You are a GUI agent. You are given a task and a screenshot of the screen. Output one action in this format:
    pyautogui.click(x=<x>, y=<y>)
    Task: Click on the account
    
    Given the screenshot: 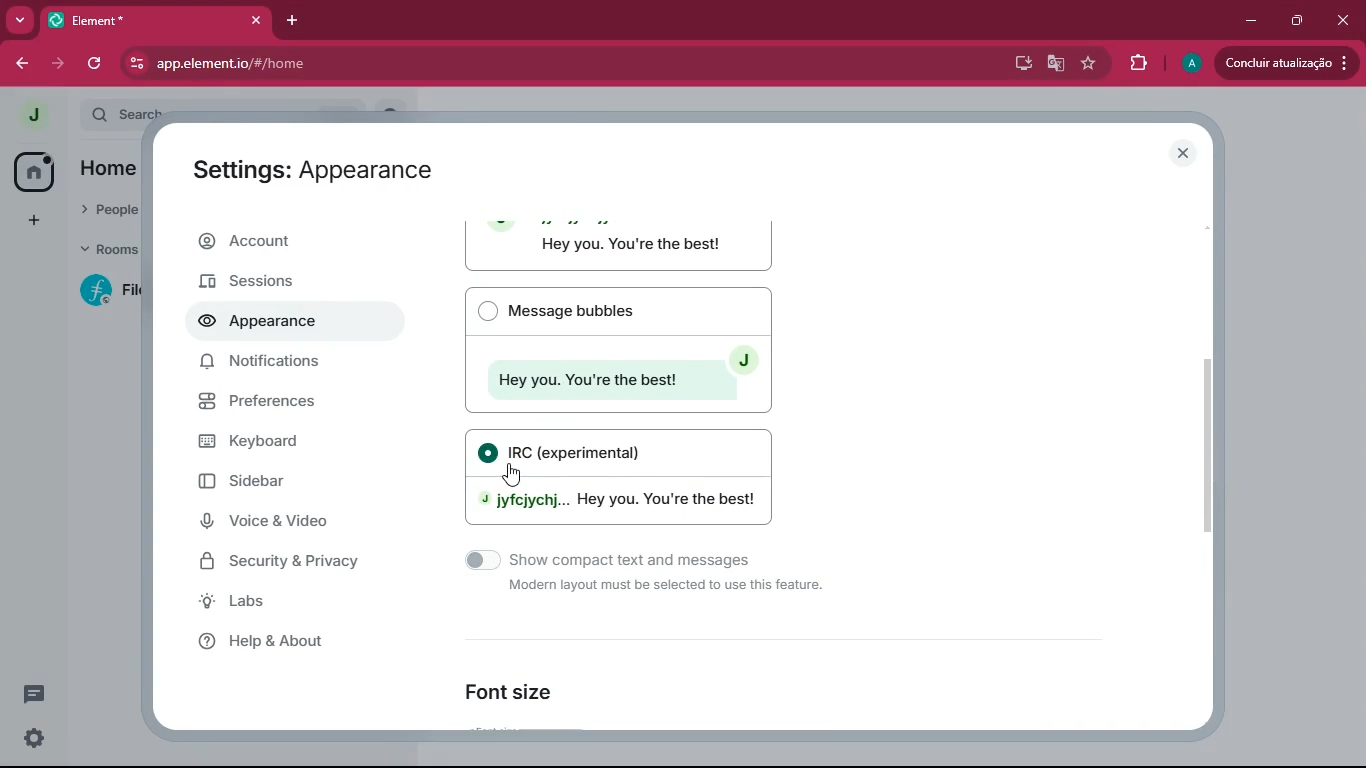 What is the action you would take?
    pyautogui.click(x=286, y=243)
    